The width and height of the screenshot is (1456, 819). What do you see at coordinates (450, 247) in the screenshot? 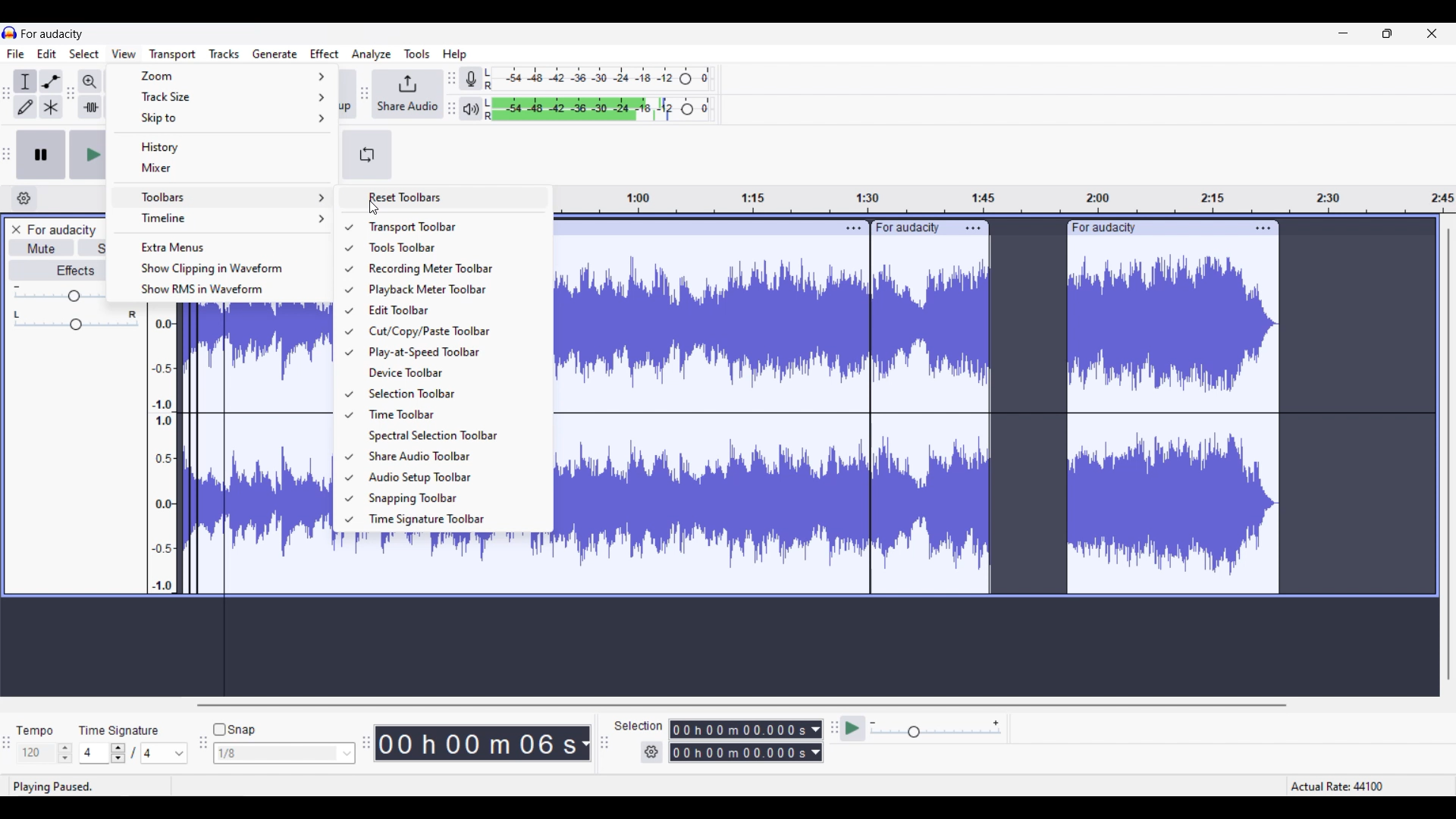
I see `Tools toolbar` at bounding box center [450, 247].